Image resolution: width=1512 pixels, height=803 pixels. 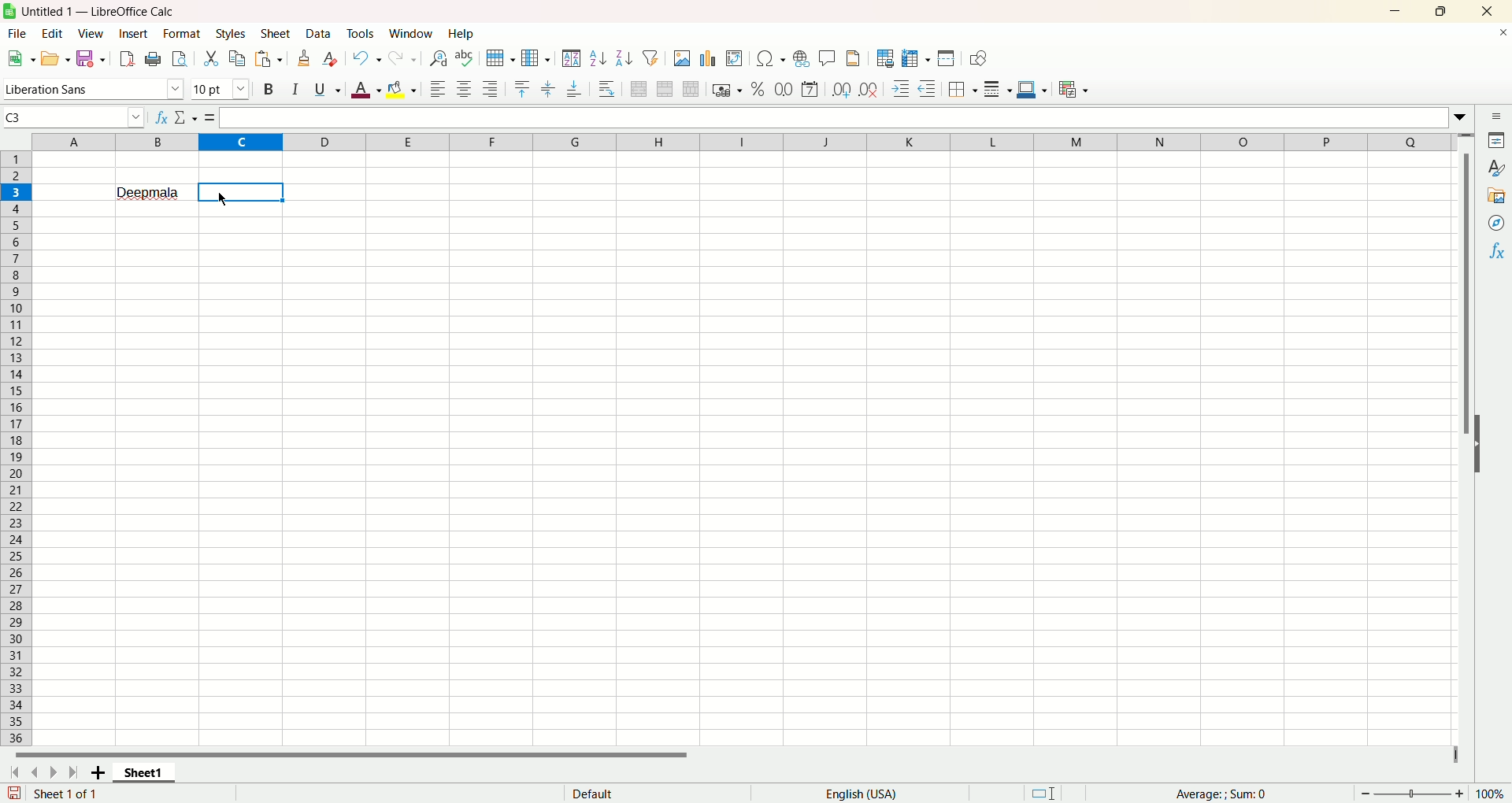 I want to click on Close document, so click(x=1498, y=33).